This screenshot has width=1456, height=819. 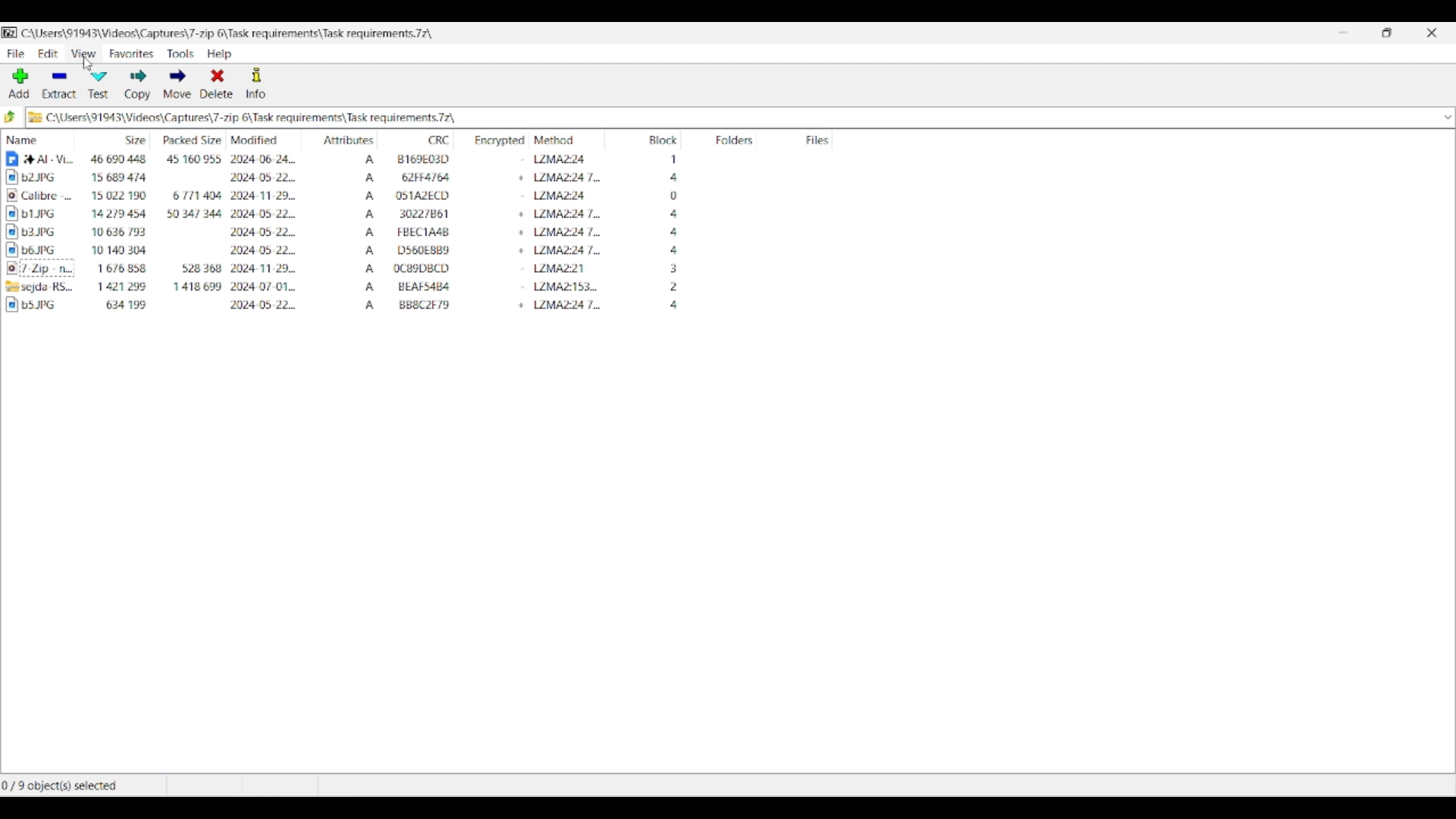 What do you see at coordinates (49, 54) in the screenshot?
I see `Edit menu` at bounding box center [49, 54].